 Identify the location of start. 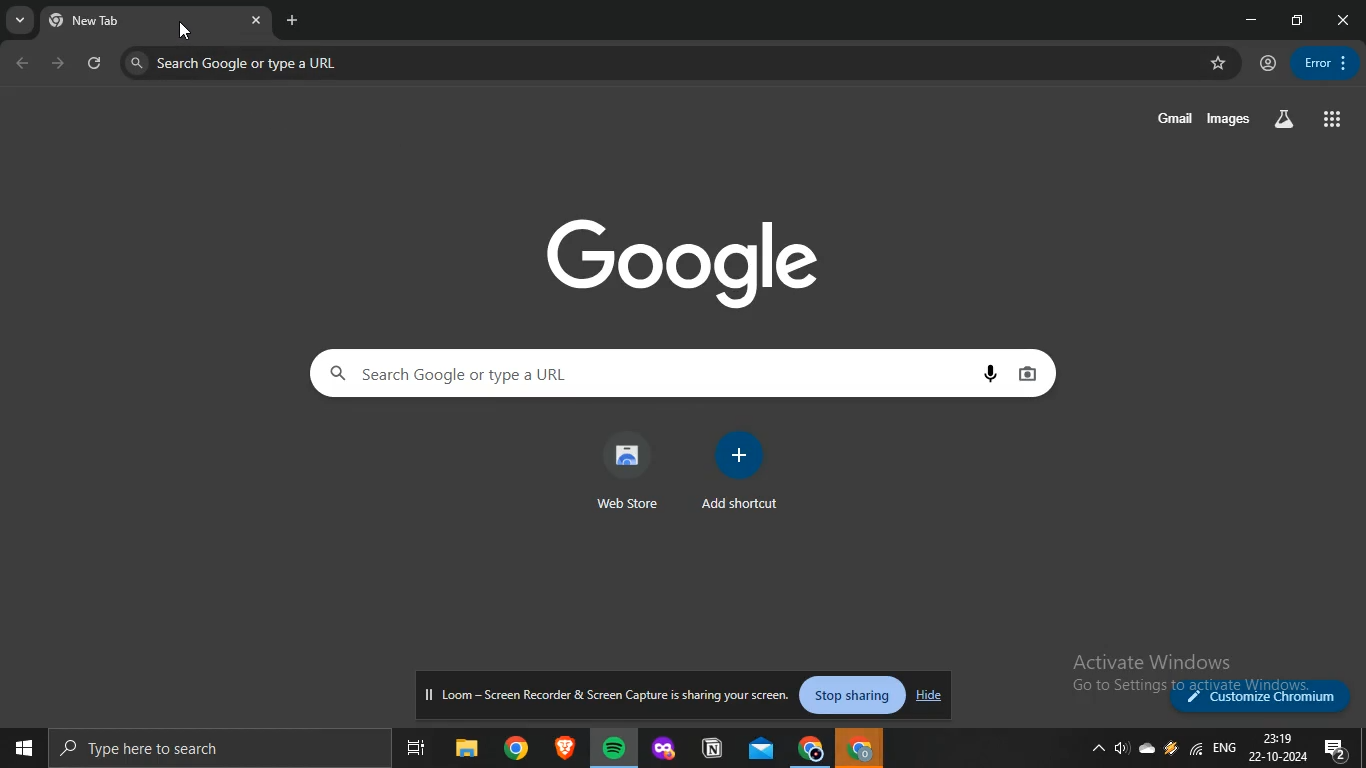
(21, 745).